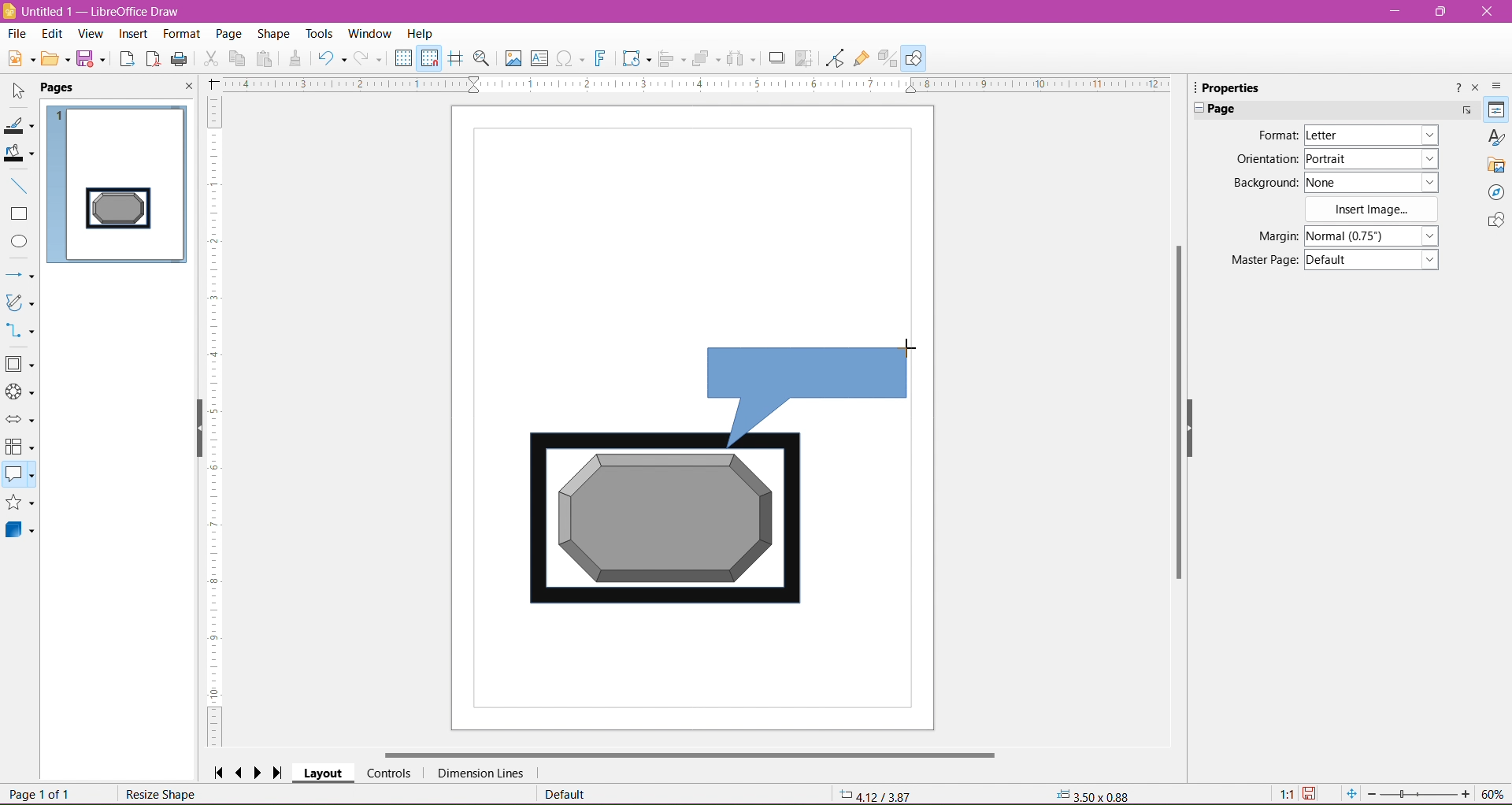 The height and width of the screenshot is (805, 1512). I want to click on 60%, so click(1495, 793).